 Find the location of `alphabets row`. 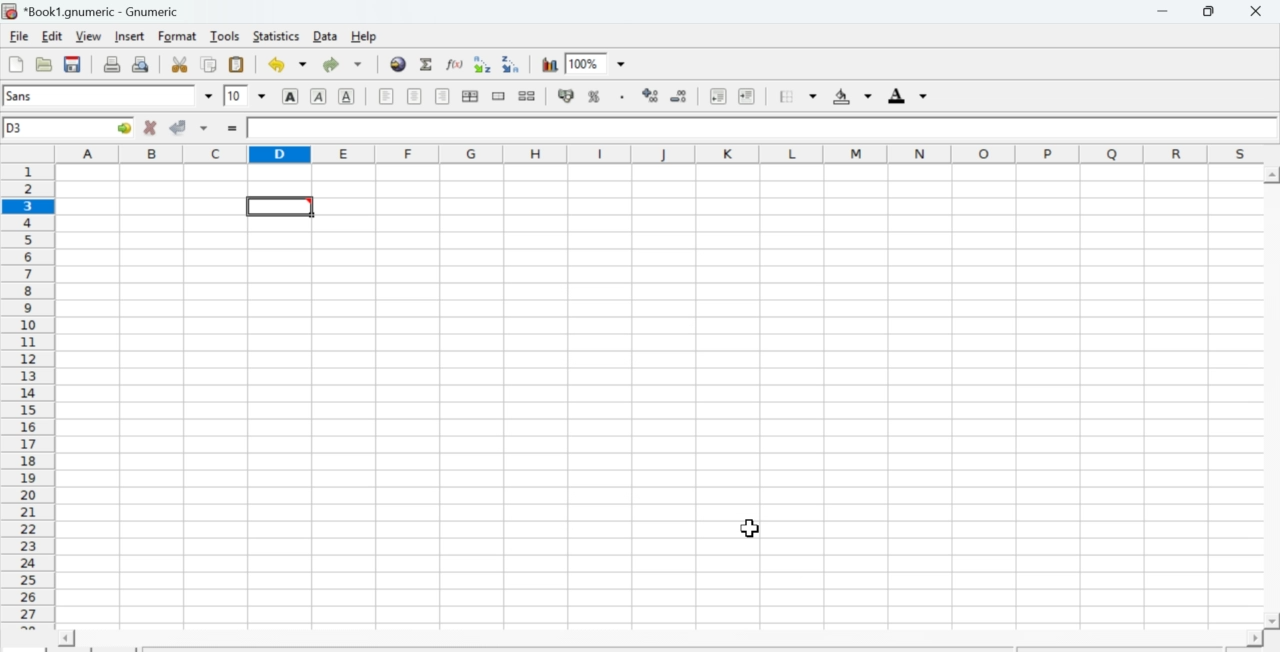

alphabets row is located at coordinates (659, 152).